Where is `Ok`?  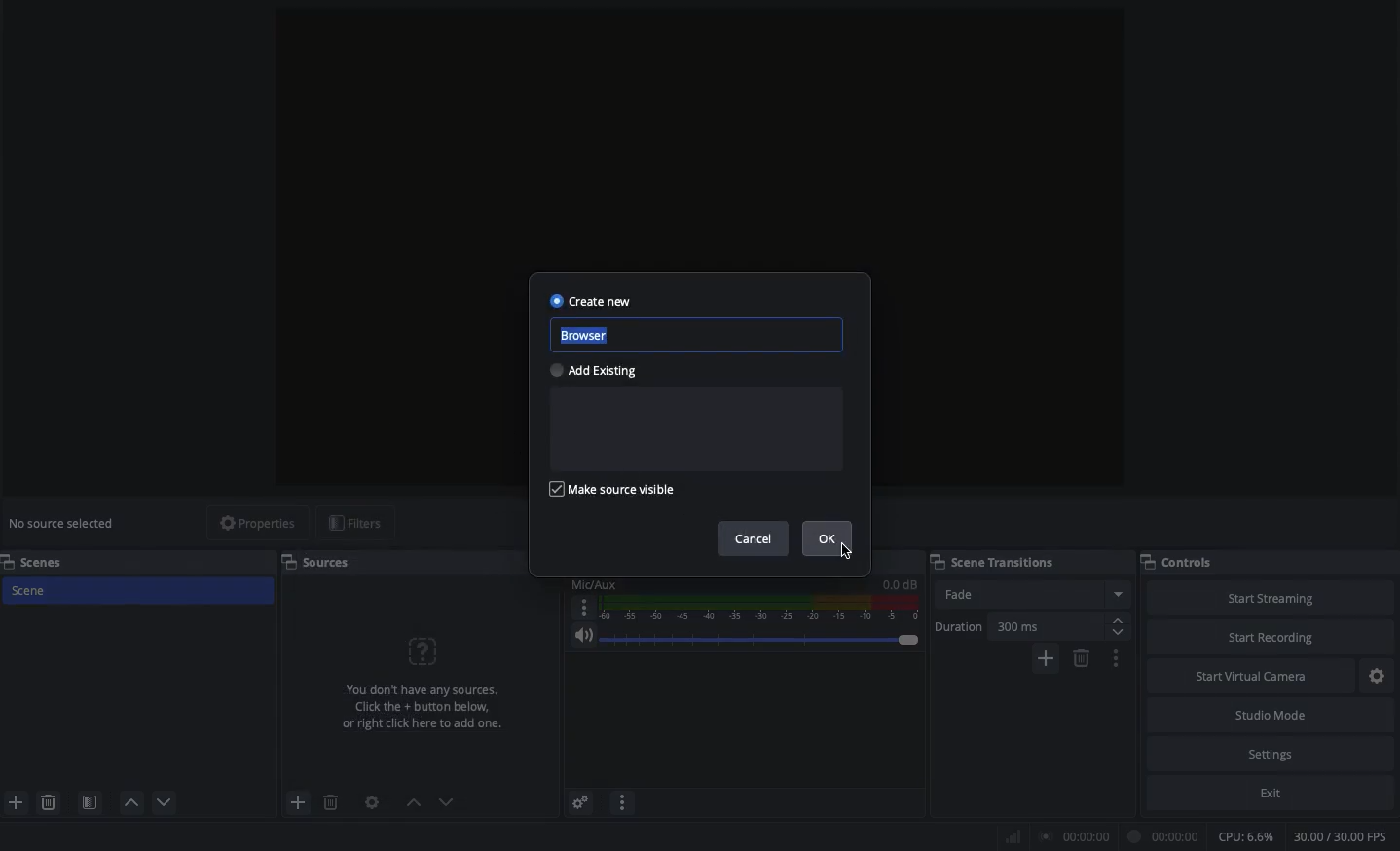 Ok is located at coordinates (829, 538).